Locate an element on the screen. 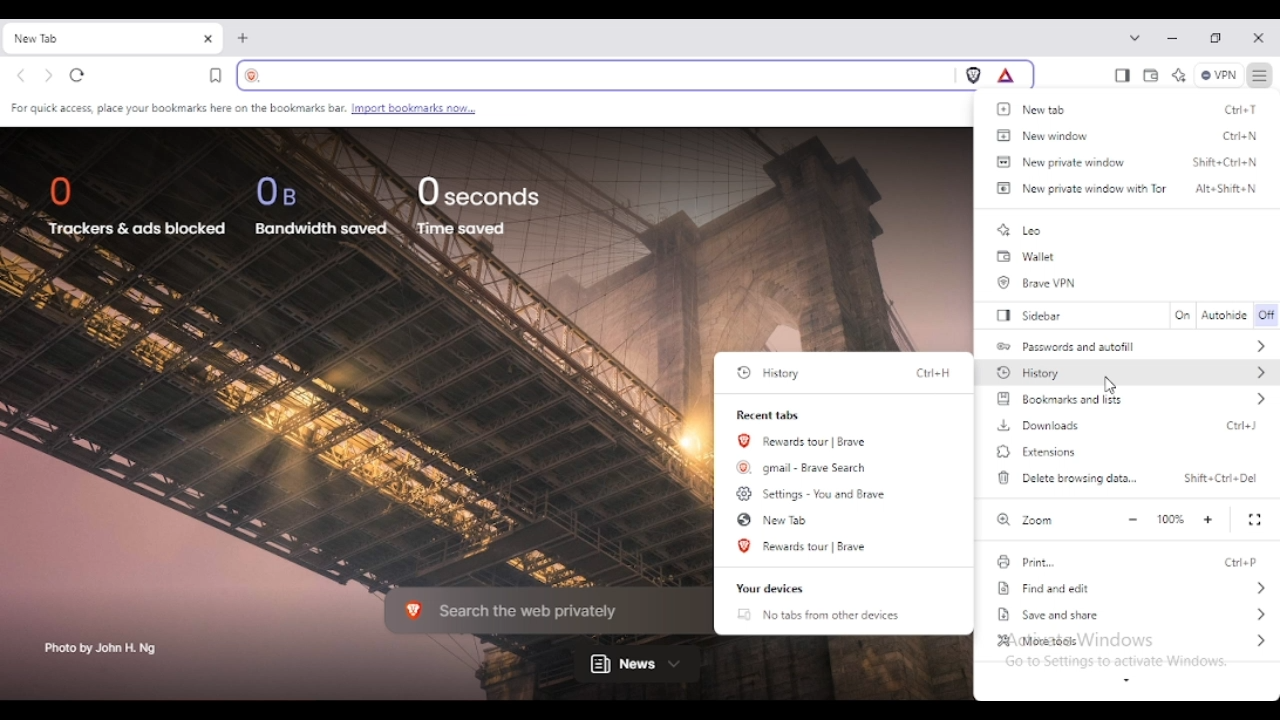 Image resolution: width=1280 pixels, height=720 pixels. recent tabs is located at coordinates (770, 415).